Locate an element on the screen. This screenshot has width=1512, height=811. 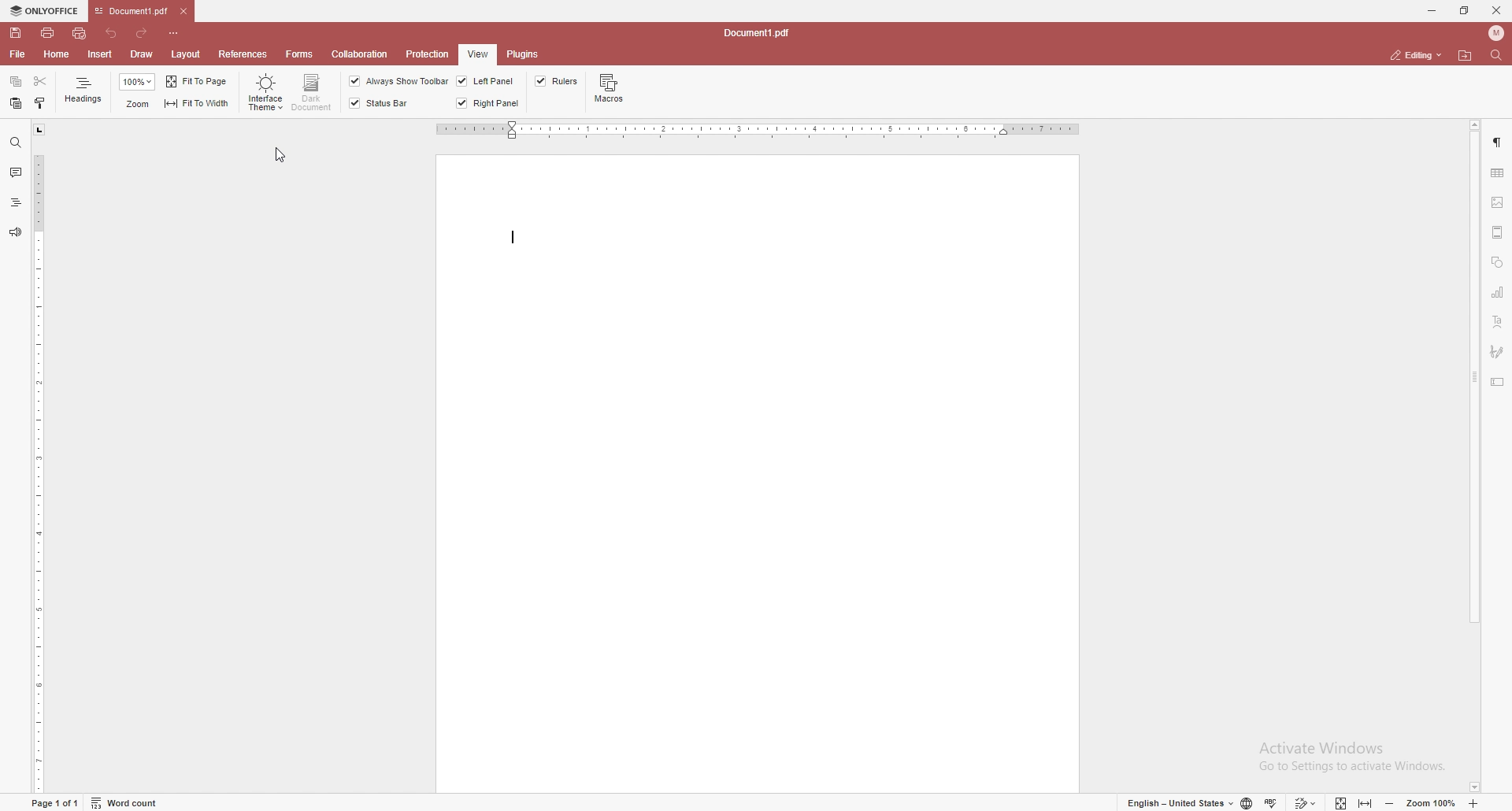
status bar is located at coordinates (380, 103).